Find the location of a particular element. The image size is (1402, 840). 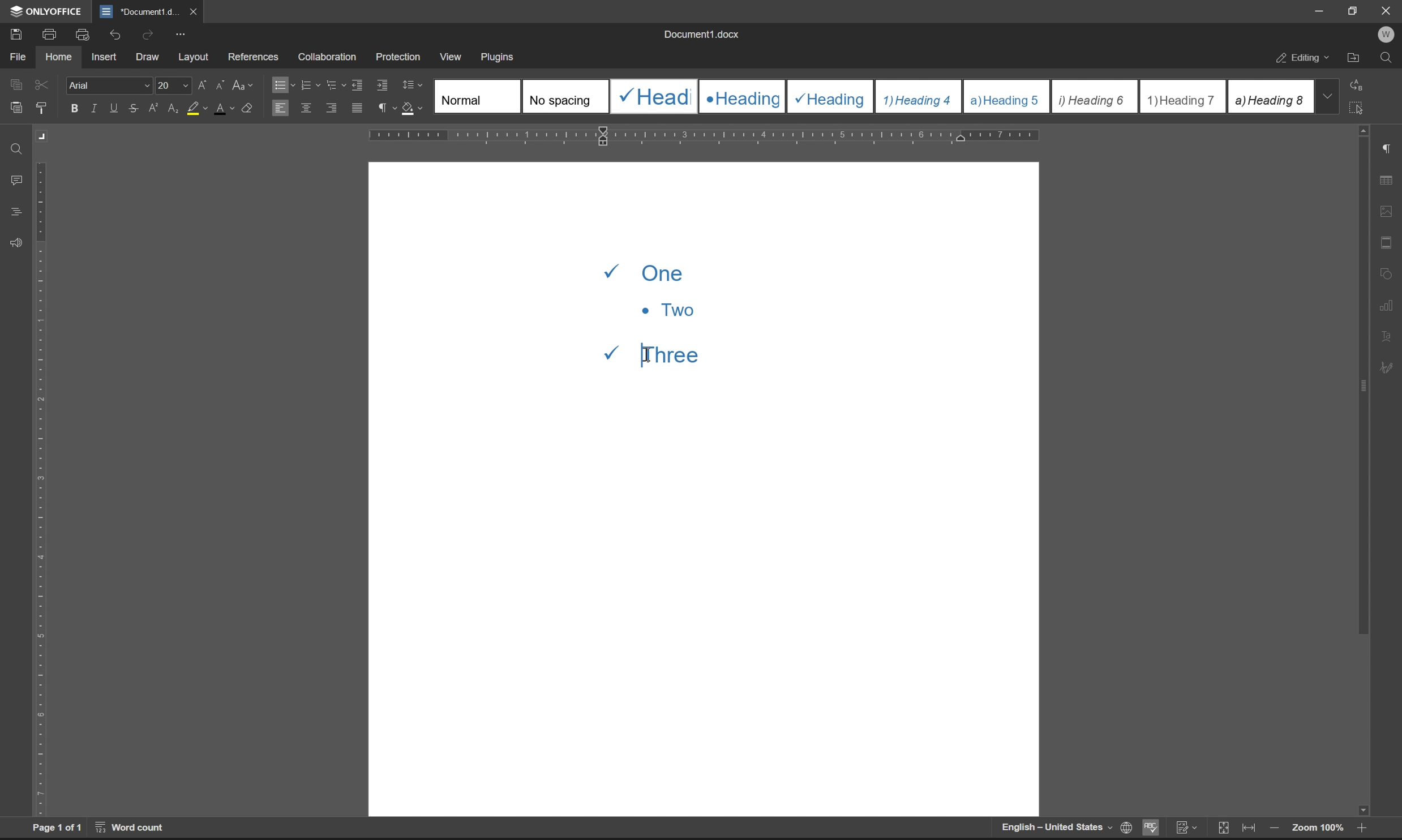

cut is located at coordinates (43, 84).